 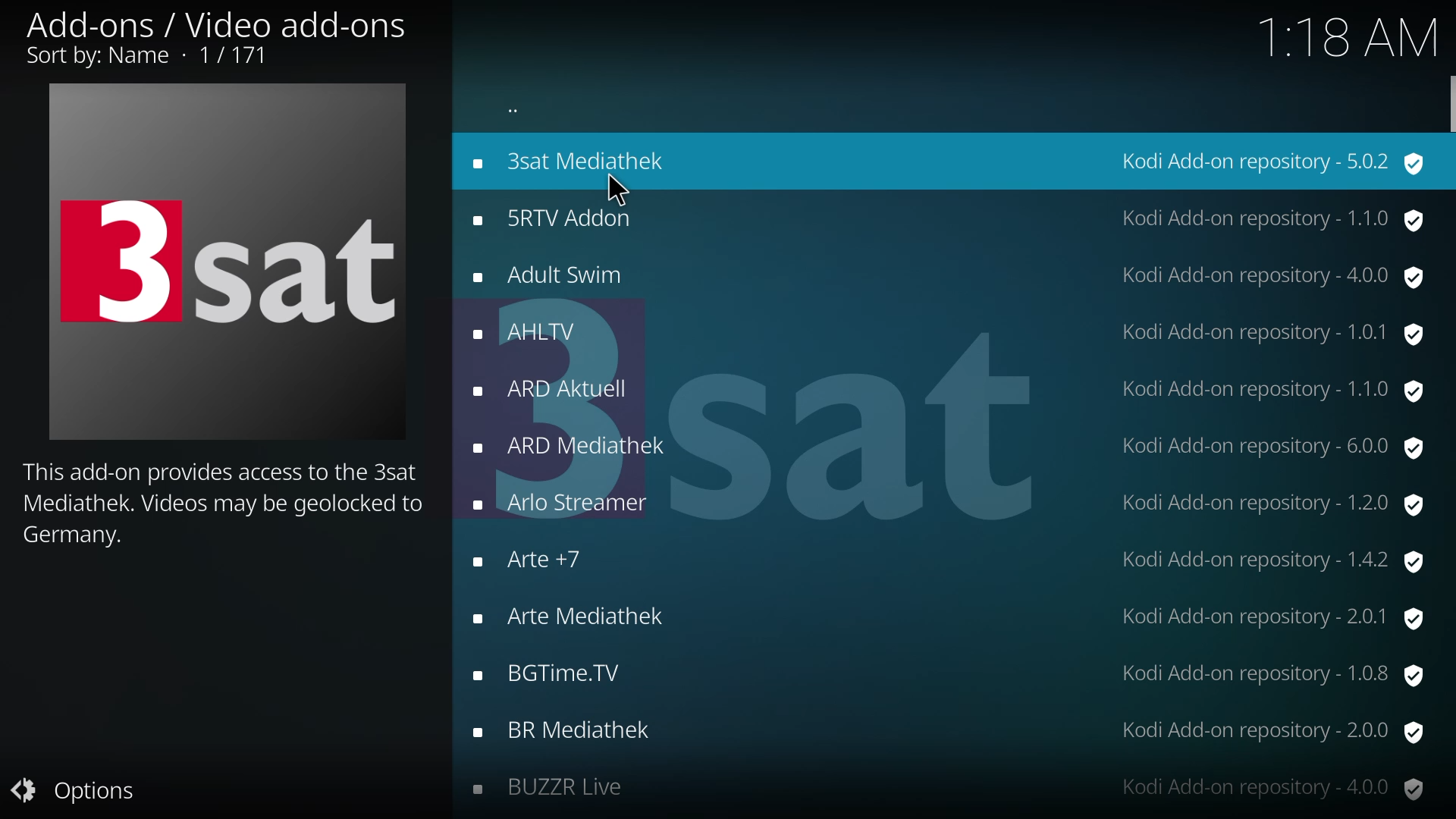 What do you see at coordinates (1261, 333) in the screenshot?
I see `version` at bounding box center [1261, 333].